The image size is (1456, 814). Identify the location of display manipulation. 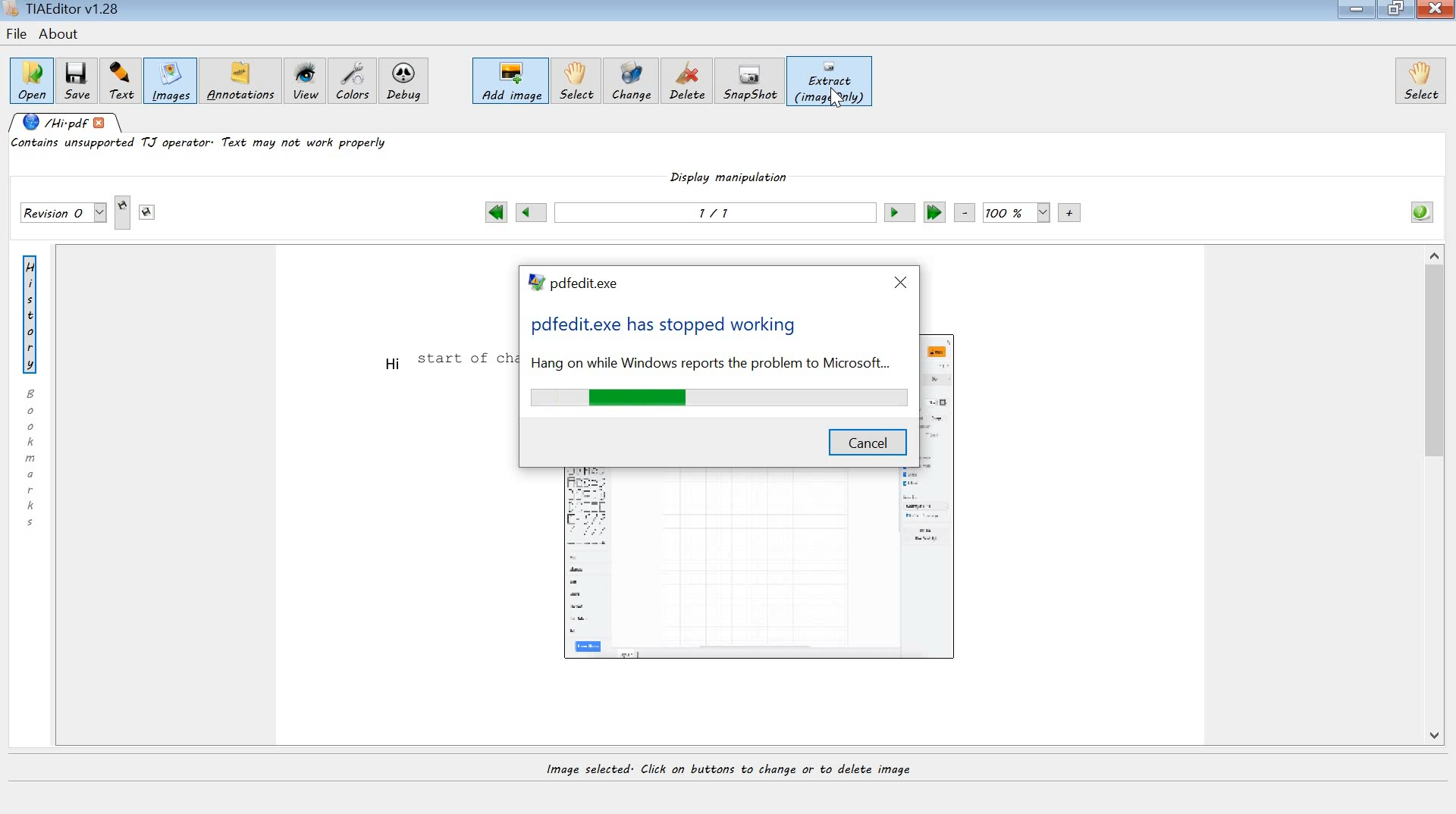
(731, 182).